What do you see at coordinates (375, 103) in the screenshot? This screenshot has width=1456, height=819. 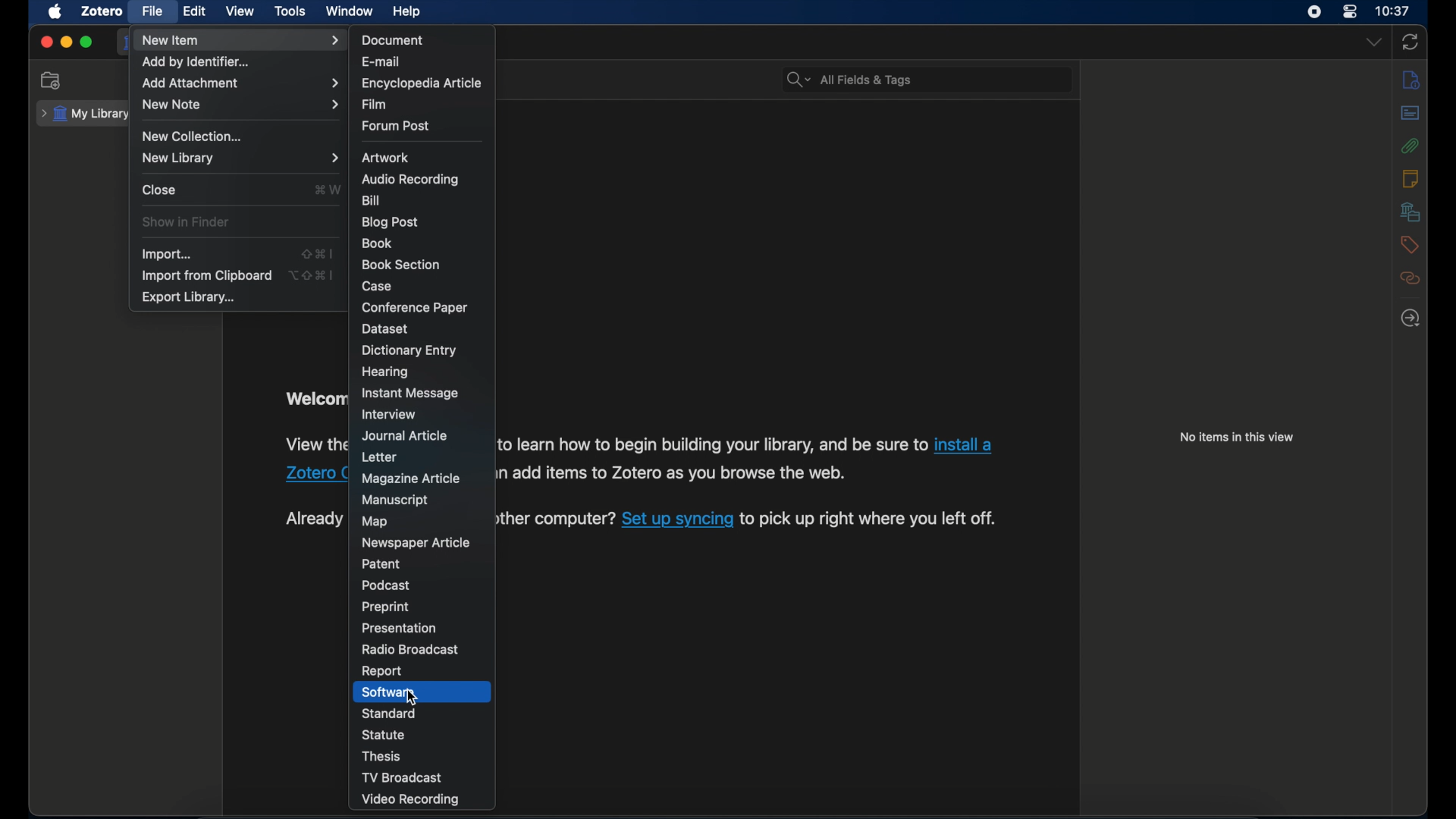 I see `film` at bounding box center [375, 103].